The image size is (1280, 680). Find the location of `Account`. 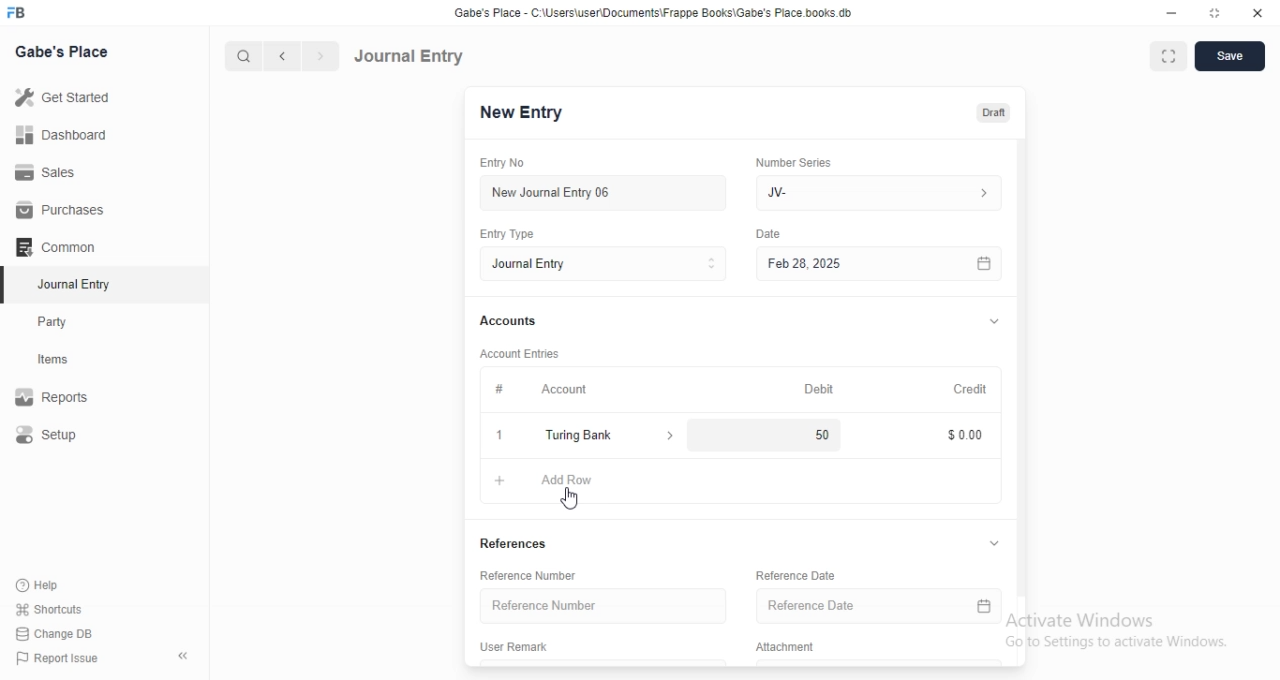

Account is located at coordinates (549, 391).